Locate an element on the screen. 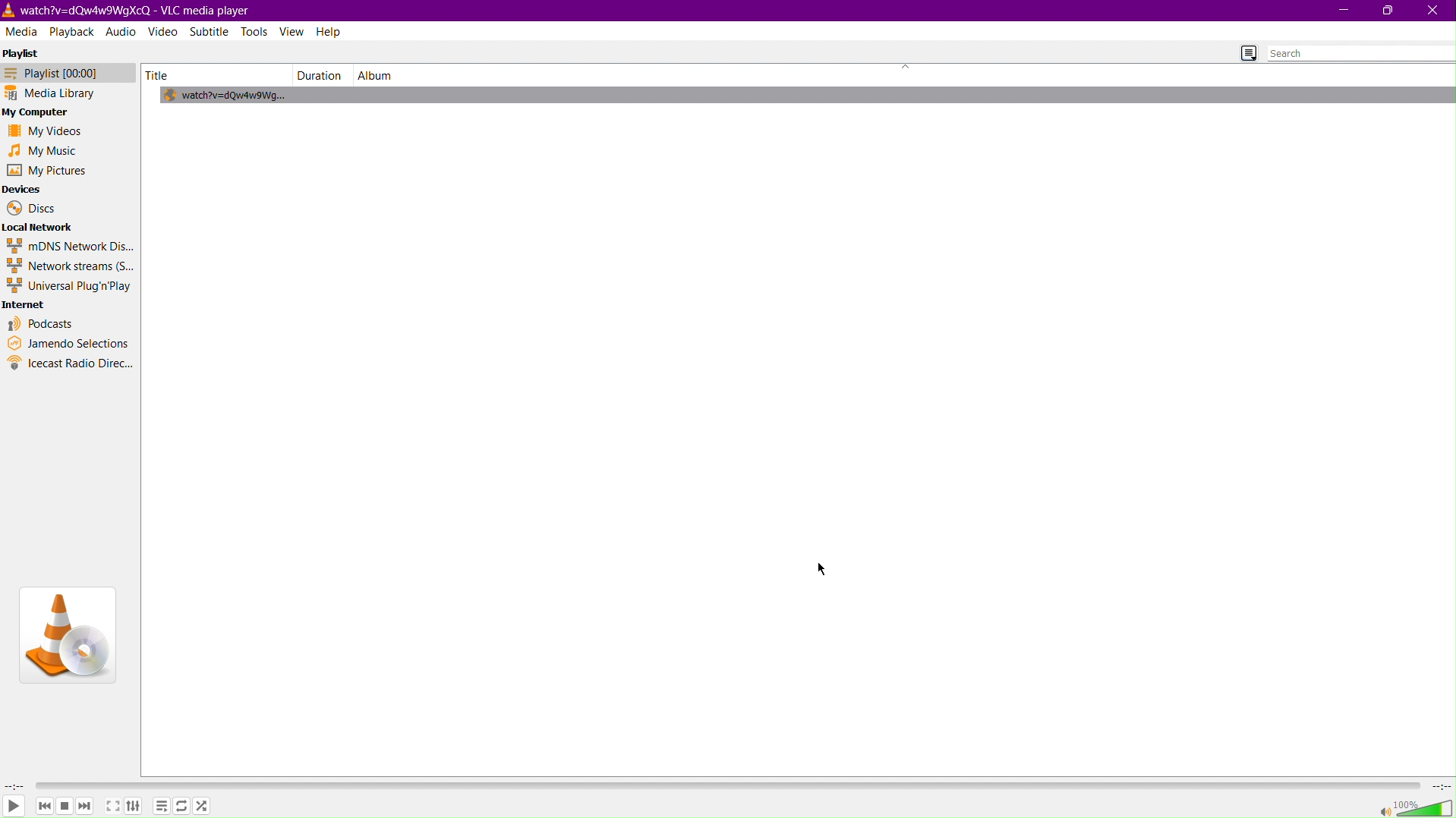  Extended settings is located at coordinates (135, 806).